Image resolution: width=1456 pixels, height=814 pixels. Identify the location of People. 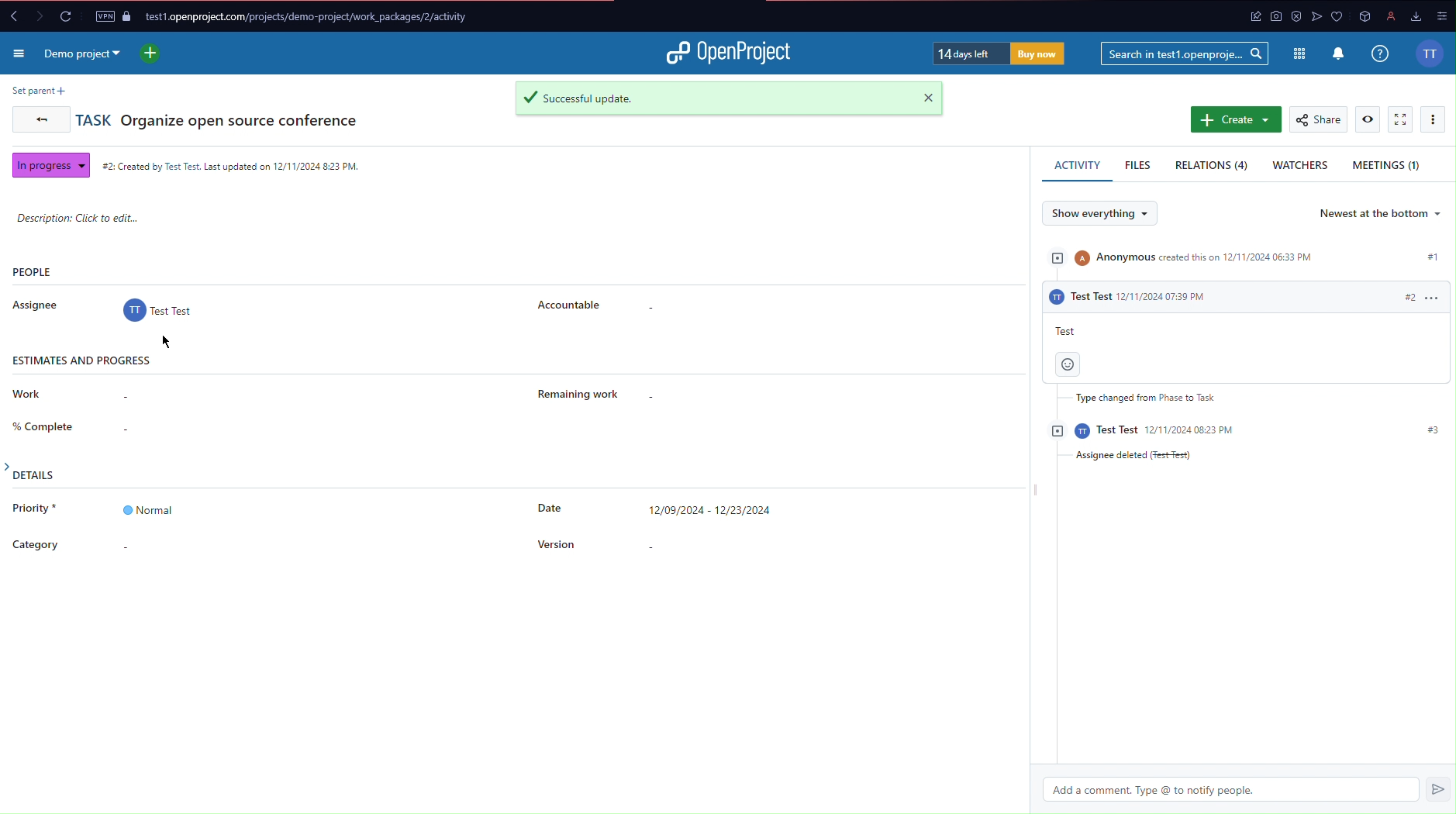
(33, 271).